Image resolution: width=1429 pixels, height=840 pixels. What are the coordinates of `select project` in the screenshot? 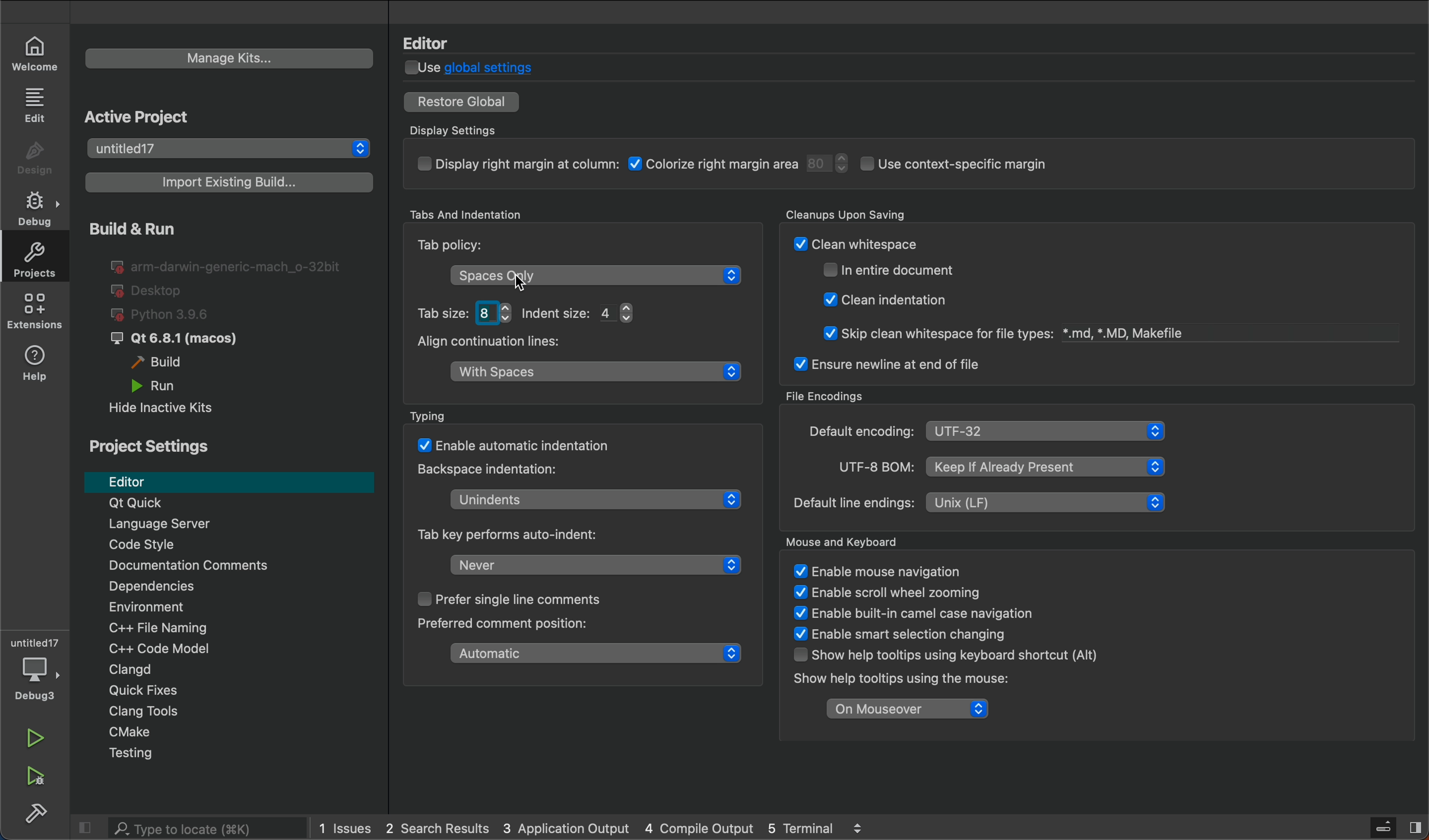 It's located at (230, 149).